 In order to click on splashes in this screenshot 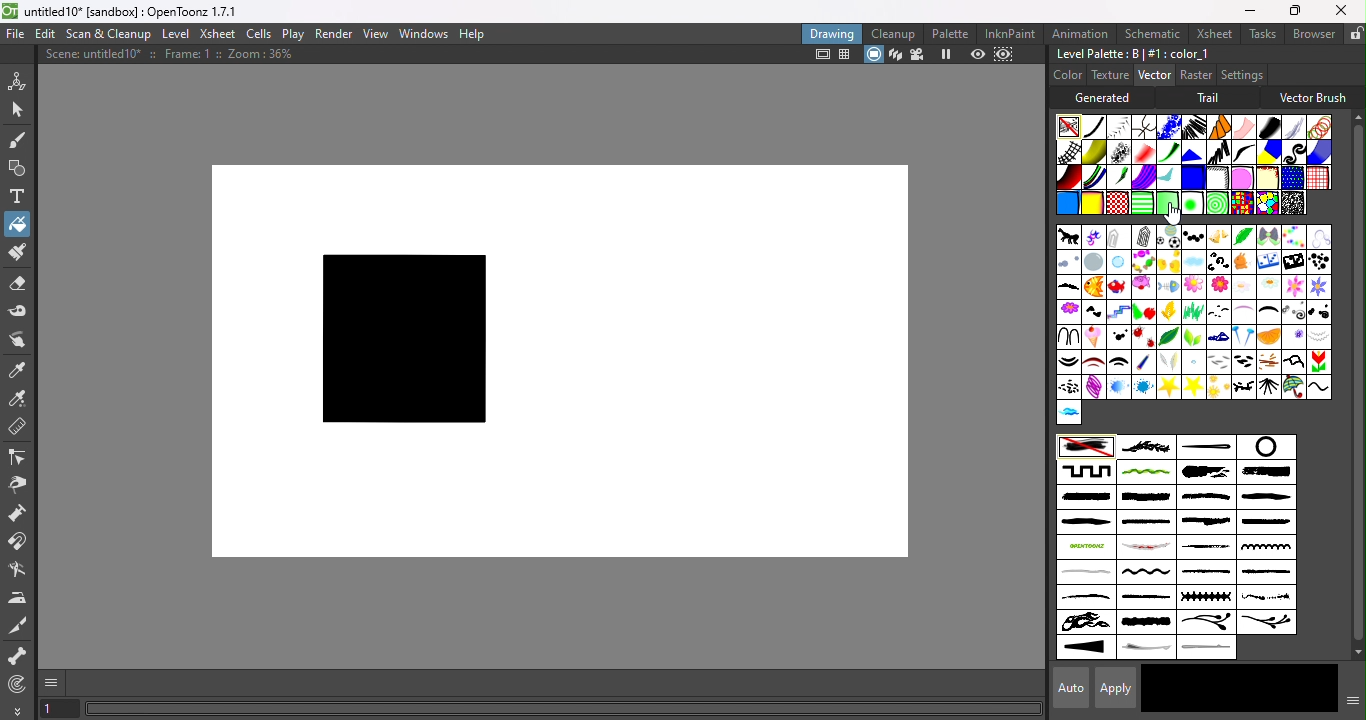, I will do `click(1266, 598)`.